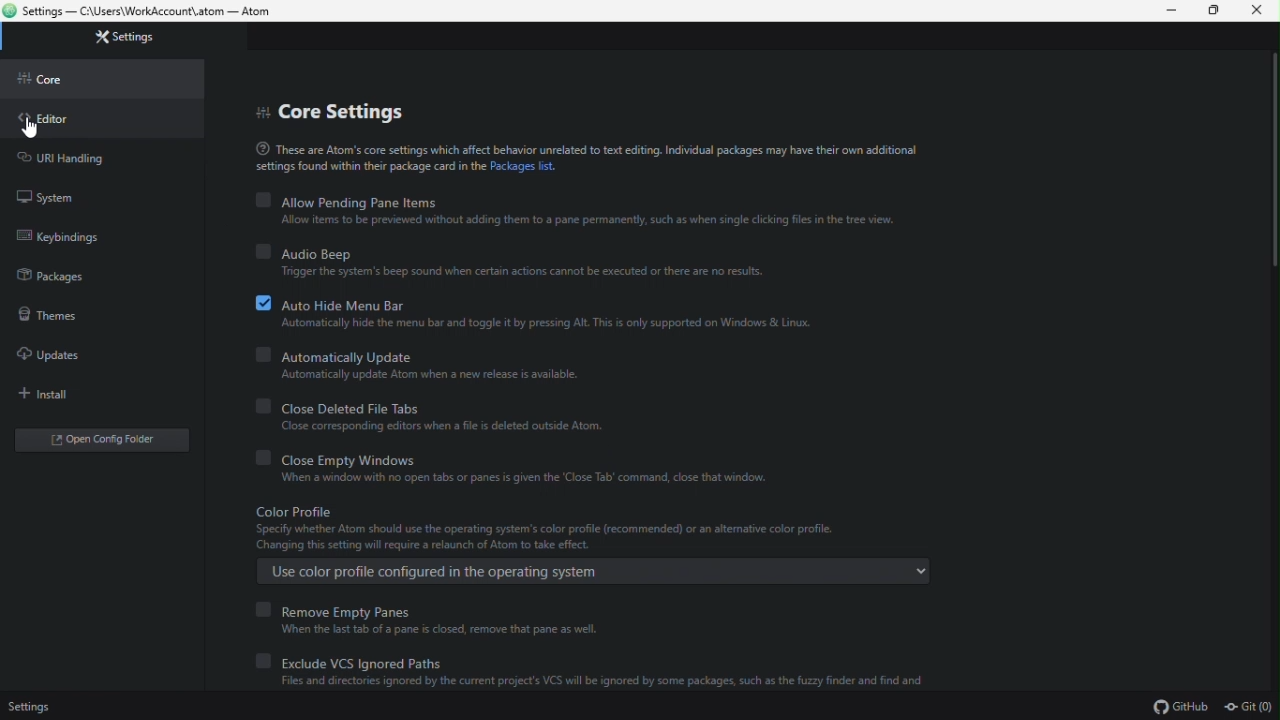 This screenshot has width=1280, height=720. Describe the element at coordinates (56, 124) in the screenshot. I see `Editor` at that location.